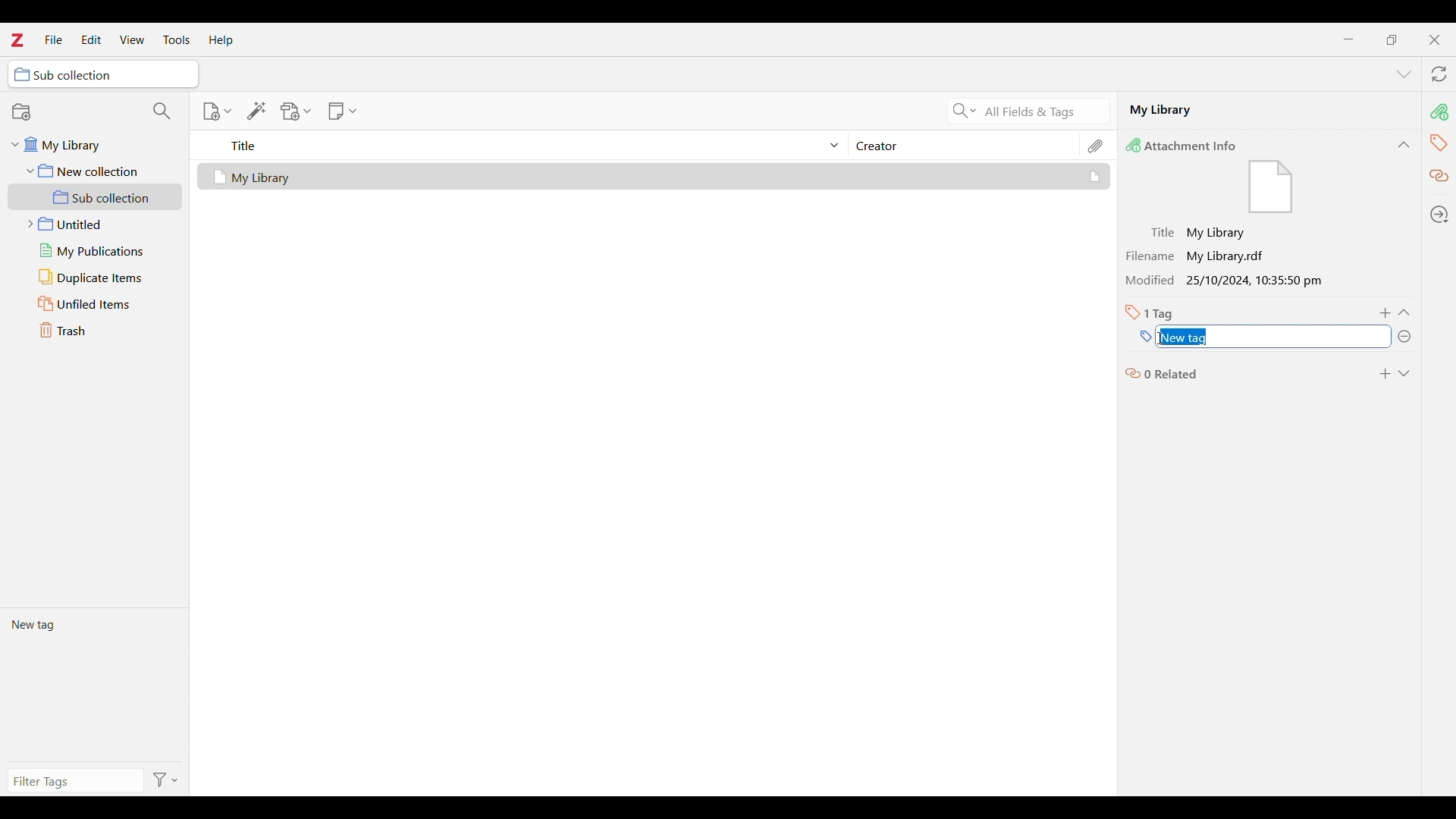 The image size is (1456, 819). What do you see at coordinates (53, 39) in the screenshot?
I see `File menu` at bounding box center [53, 39].